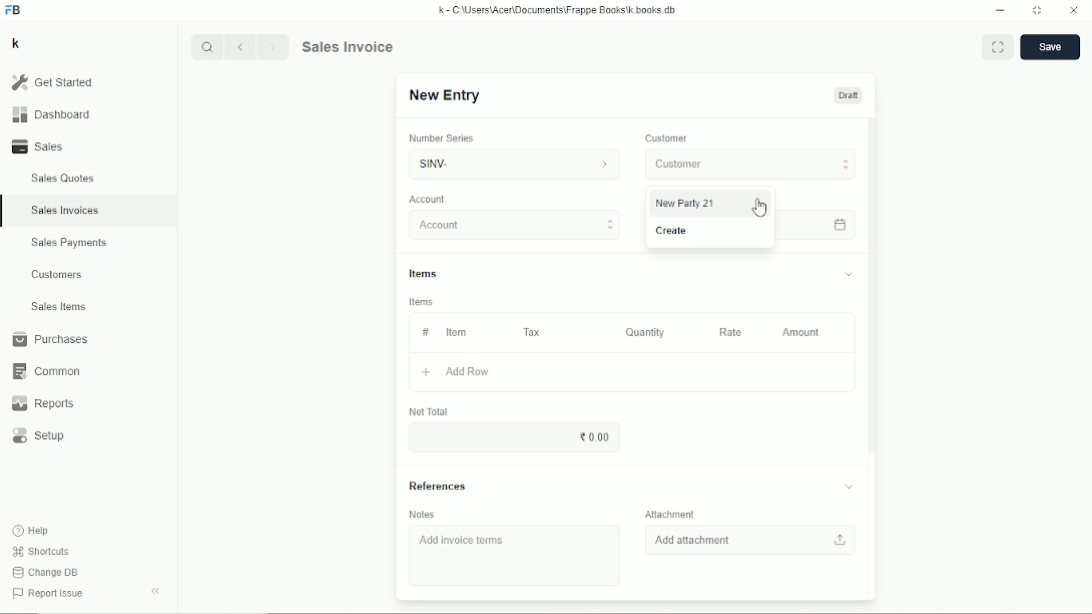 This screenshot has width=1092, height=614. Describe the element at coordinates (1000, 11) in the screenshot. I see `Minimize` at that location.